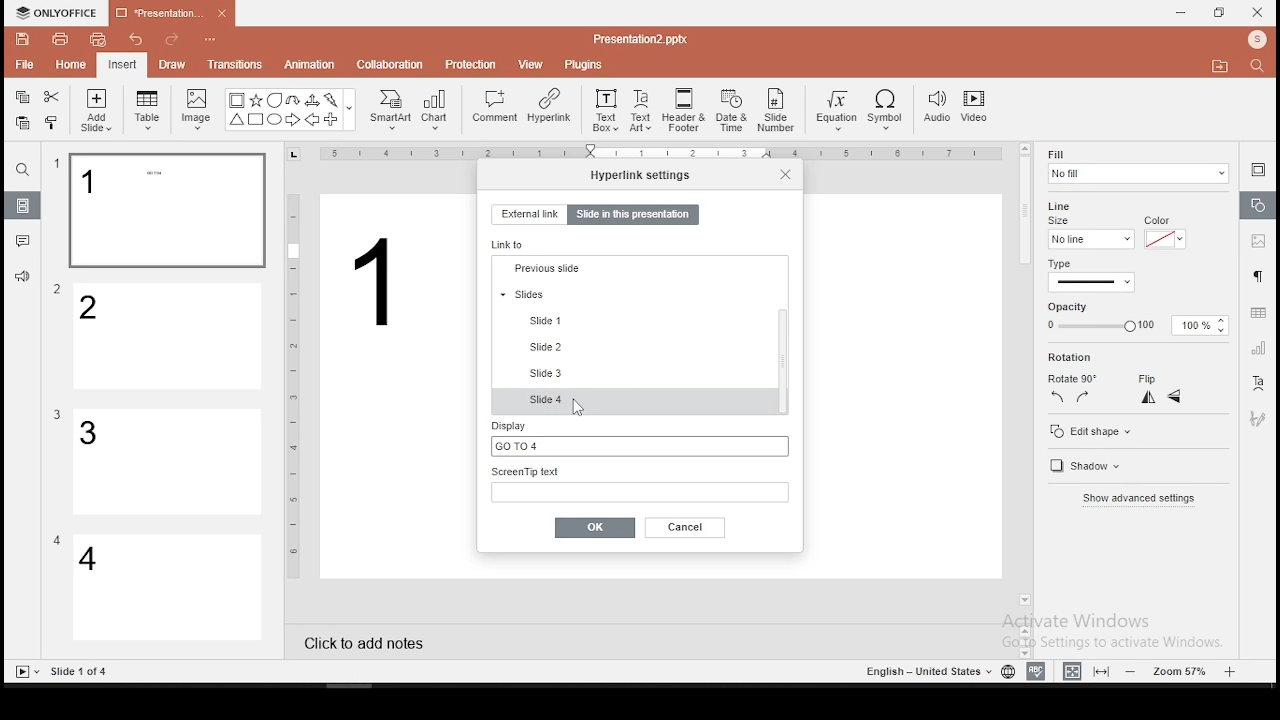 The image size is (1280, 720). I want to click on chart, so click(436, 109).